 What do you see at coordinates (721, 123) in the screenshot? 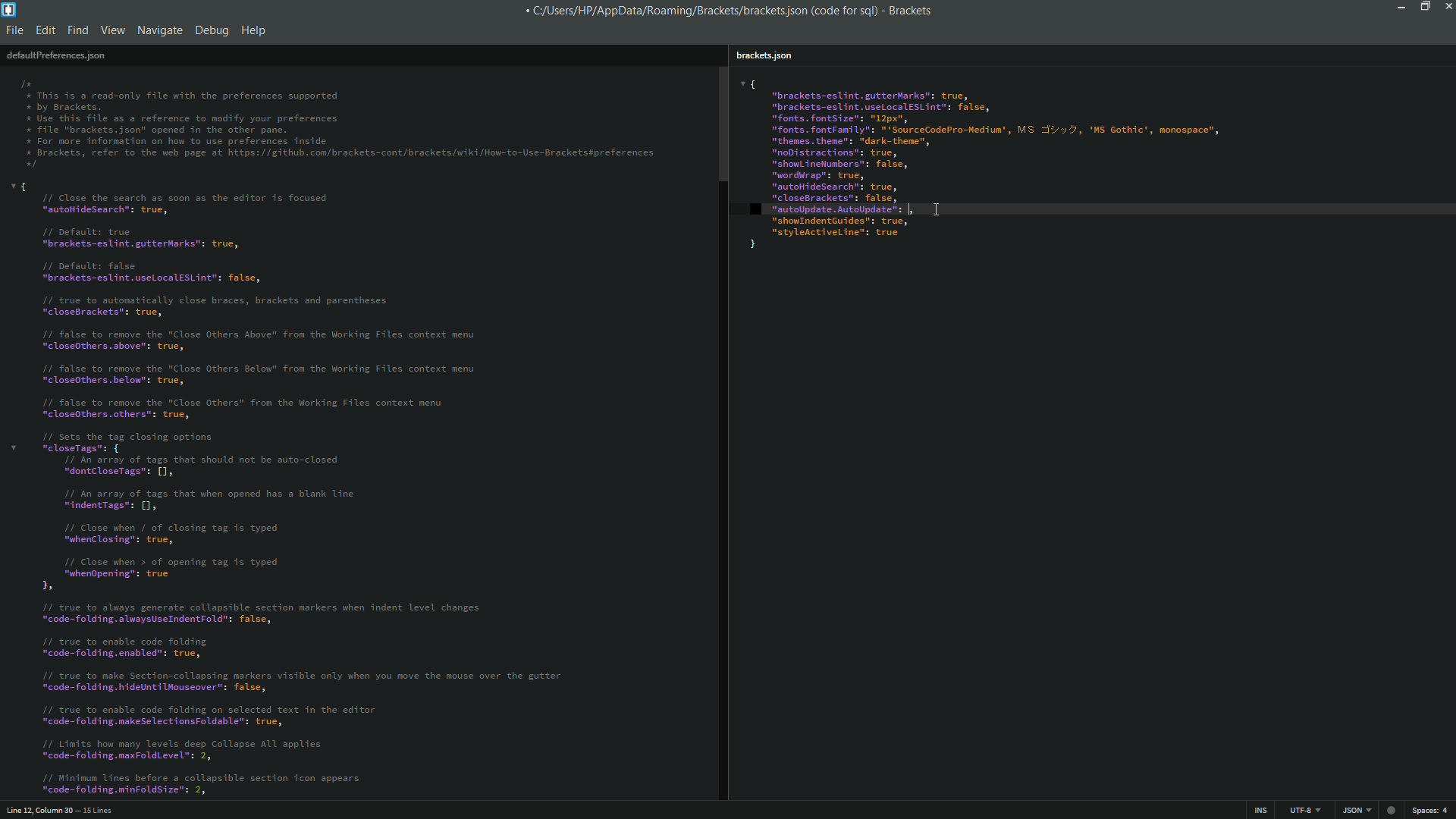
I see `scrollbar` at bounding box center [721, 123].